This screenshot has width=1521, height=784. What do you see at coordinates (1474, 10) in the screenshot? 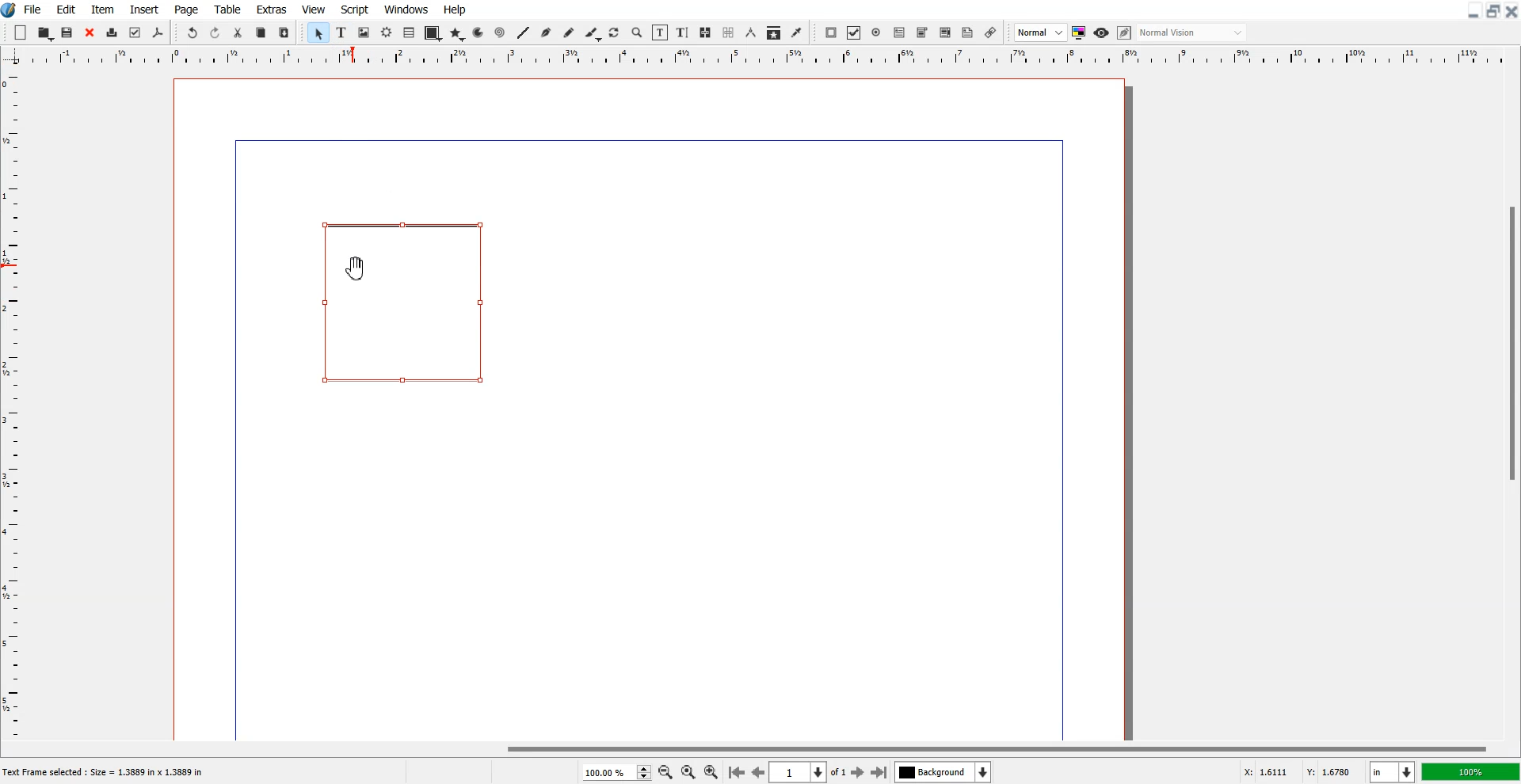
I see `Minimize` at bounding box center [1474, 10].